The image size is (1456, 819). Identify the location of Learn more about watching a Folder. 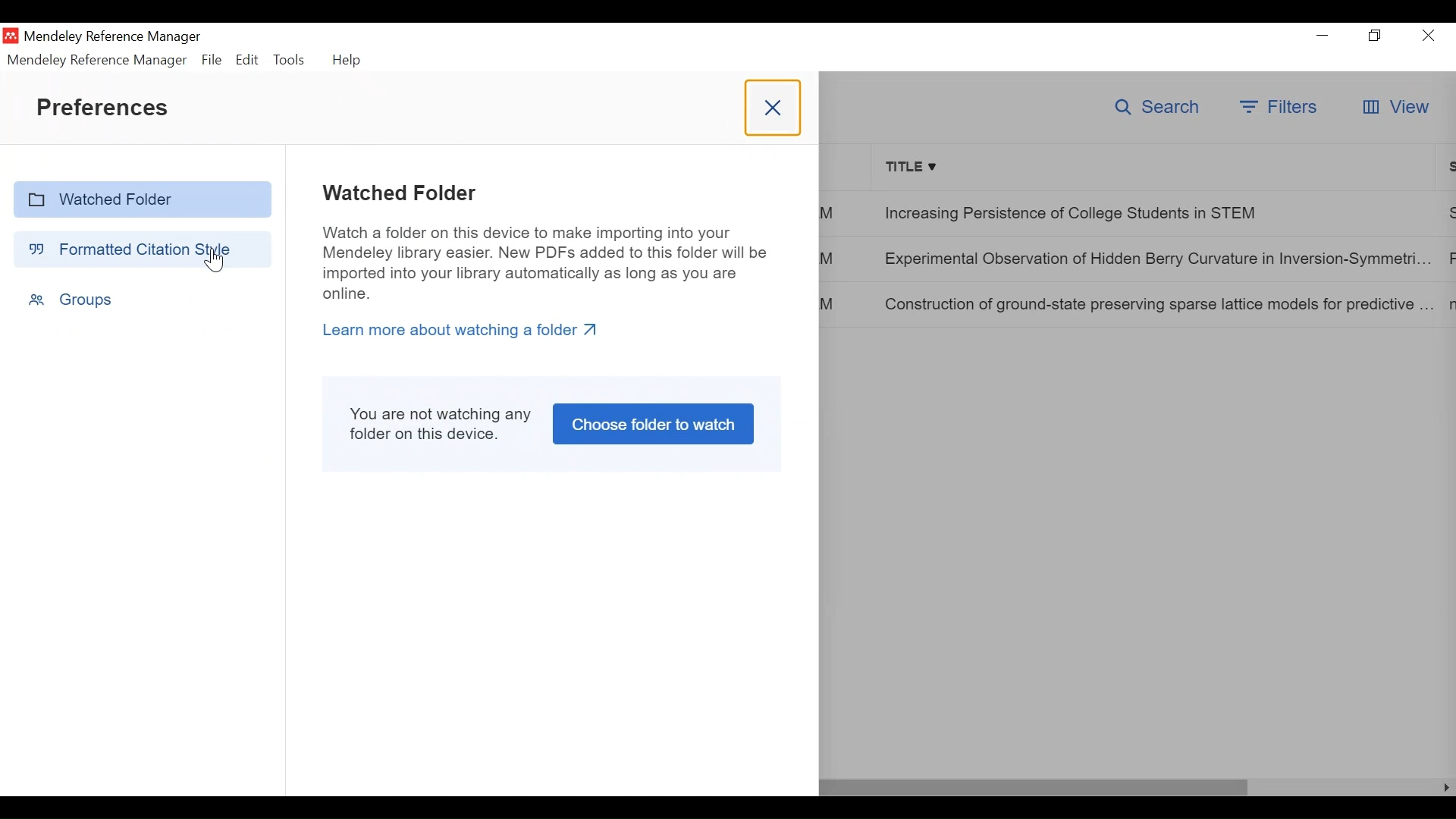
(465, 331).